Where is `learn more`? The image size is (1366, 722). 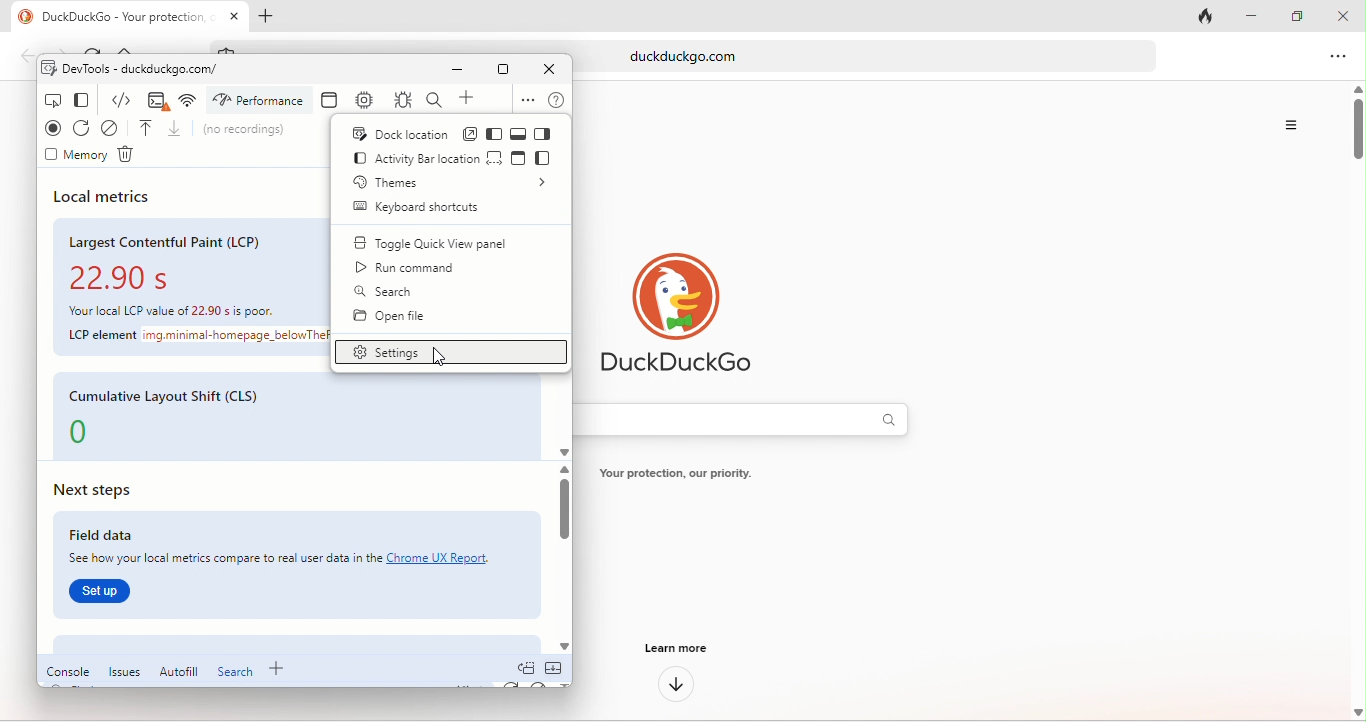
learn more is located at coordinates (673, 651).